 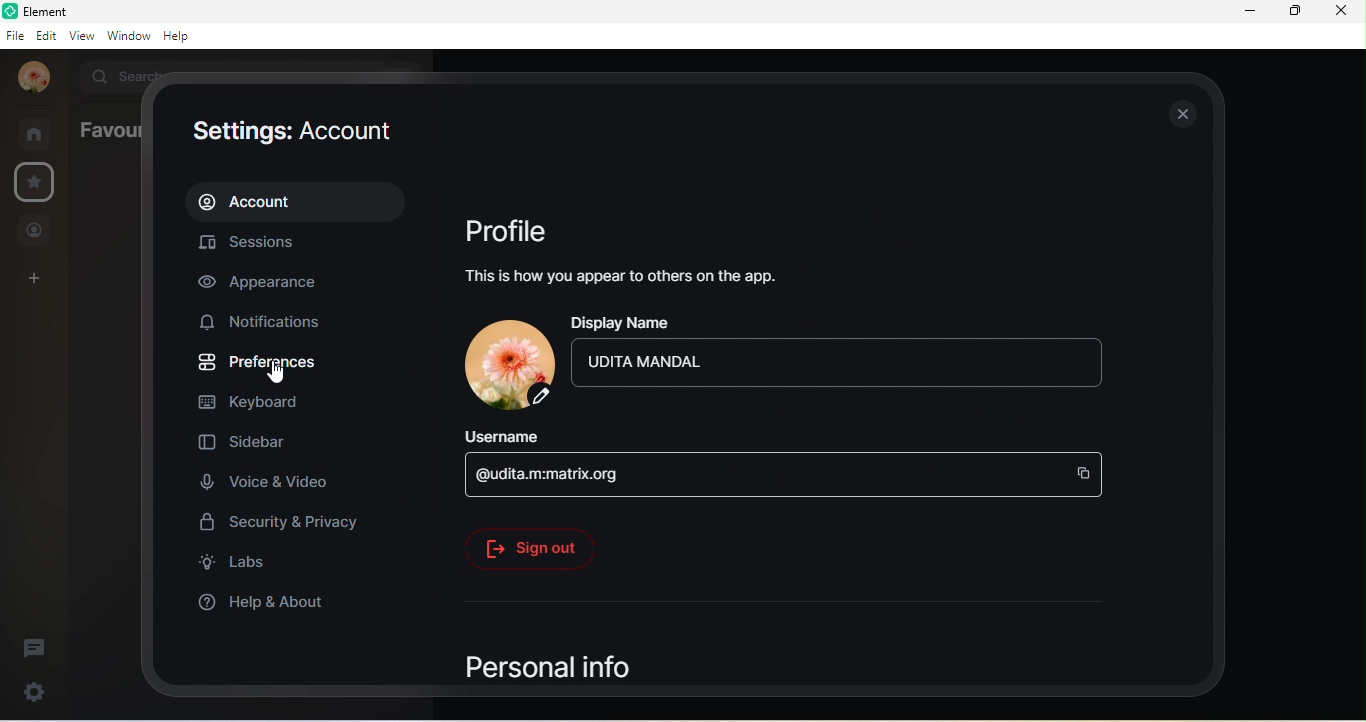 I want to click on this is how you appear to others on the app, so click(x=621, y=280).